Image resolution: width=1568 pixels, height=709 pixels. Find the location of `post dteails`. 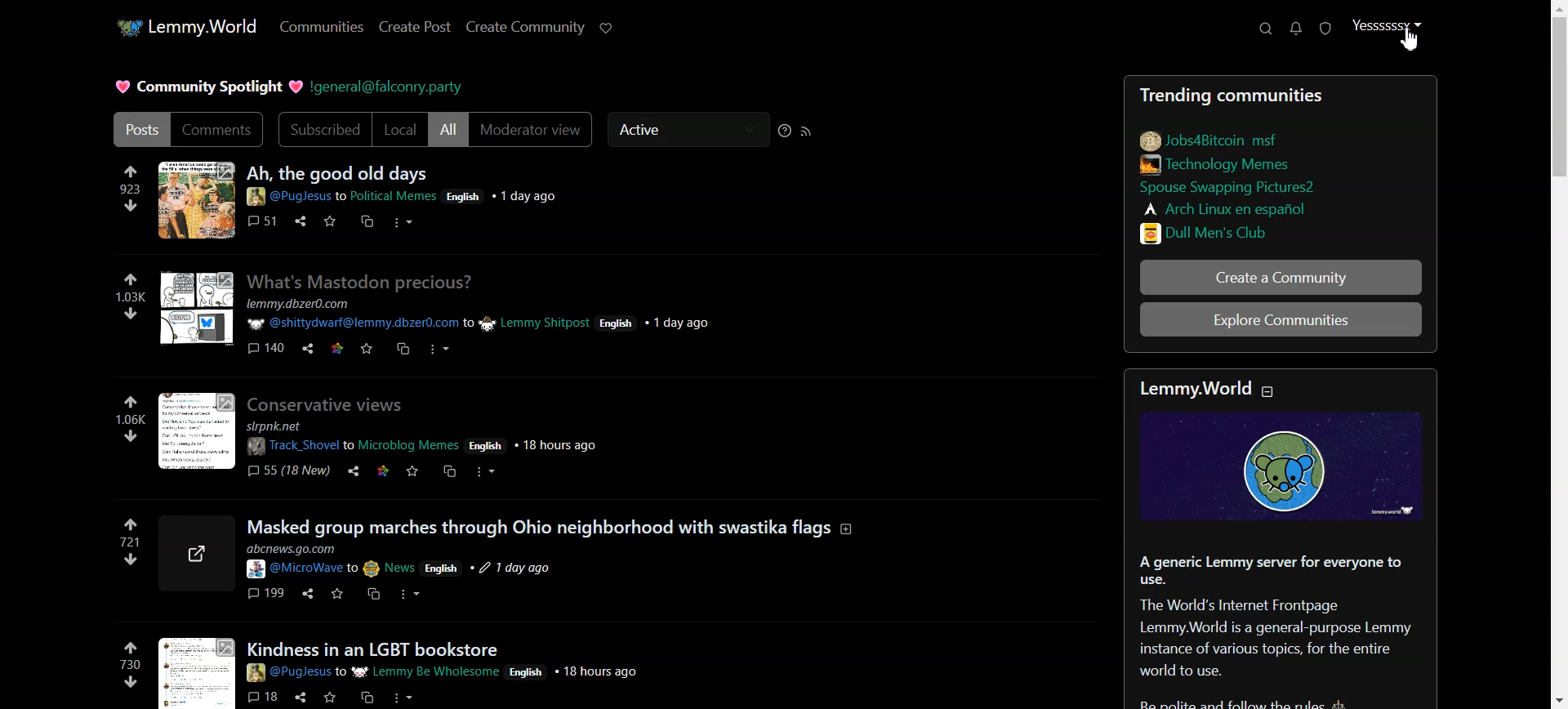

post dteails is located at coordinates (500, 314).